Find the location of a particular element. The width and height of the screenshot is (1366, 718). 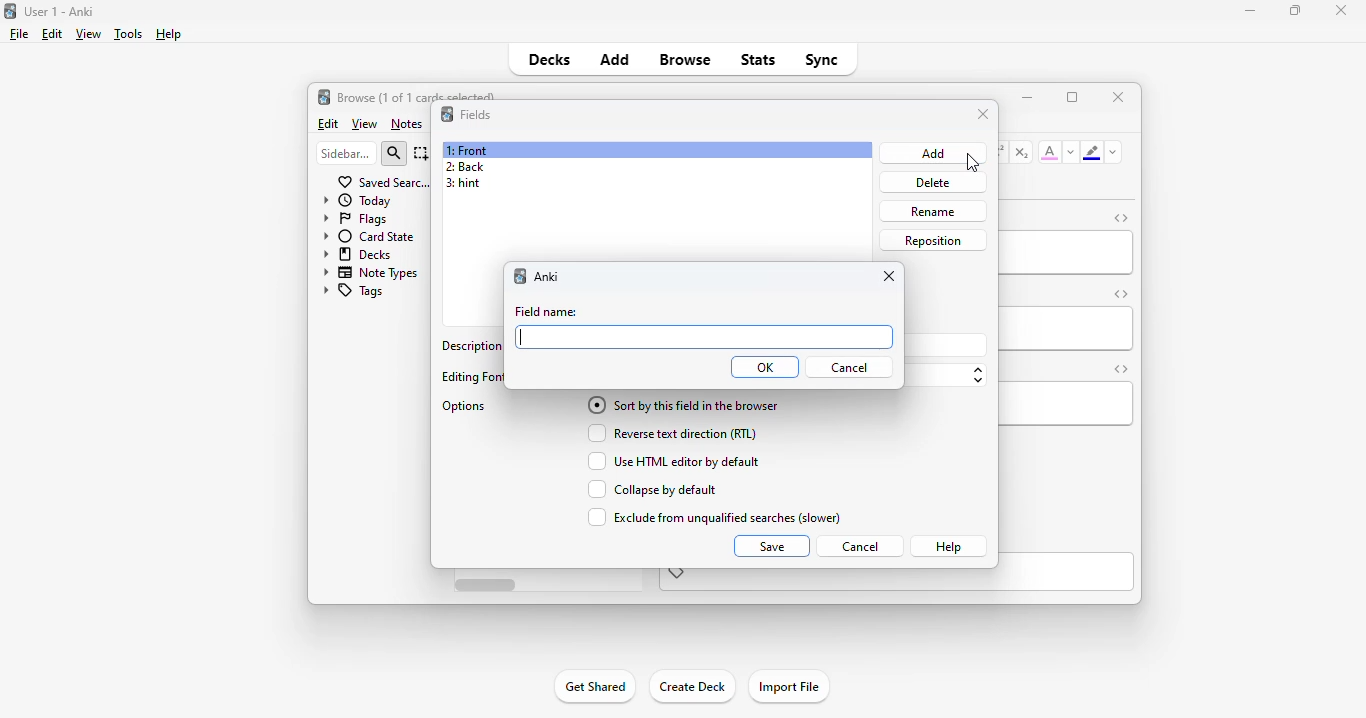

edit is located at coordinates (329, 124).